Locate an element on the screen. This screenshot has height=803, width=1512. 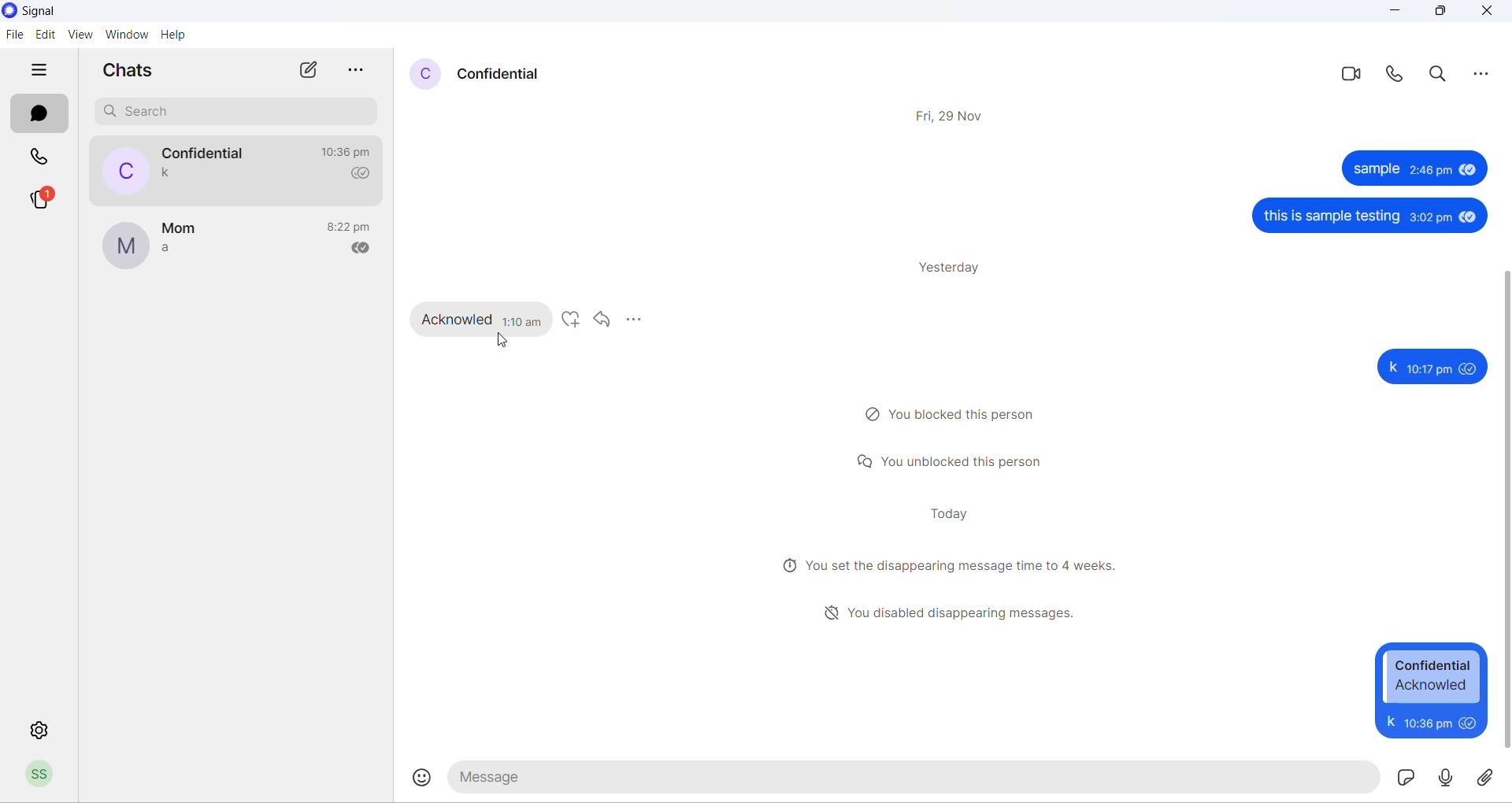
minimize is located at coordinates (1385, 13).